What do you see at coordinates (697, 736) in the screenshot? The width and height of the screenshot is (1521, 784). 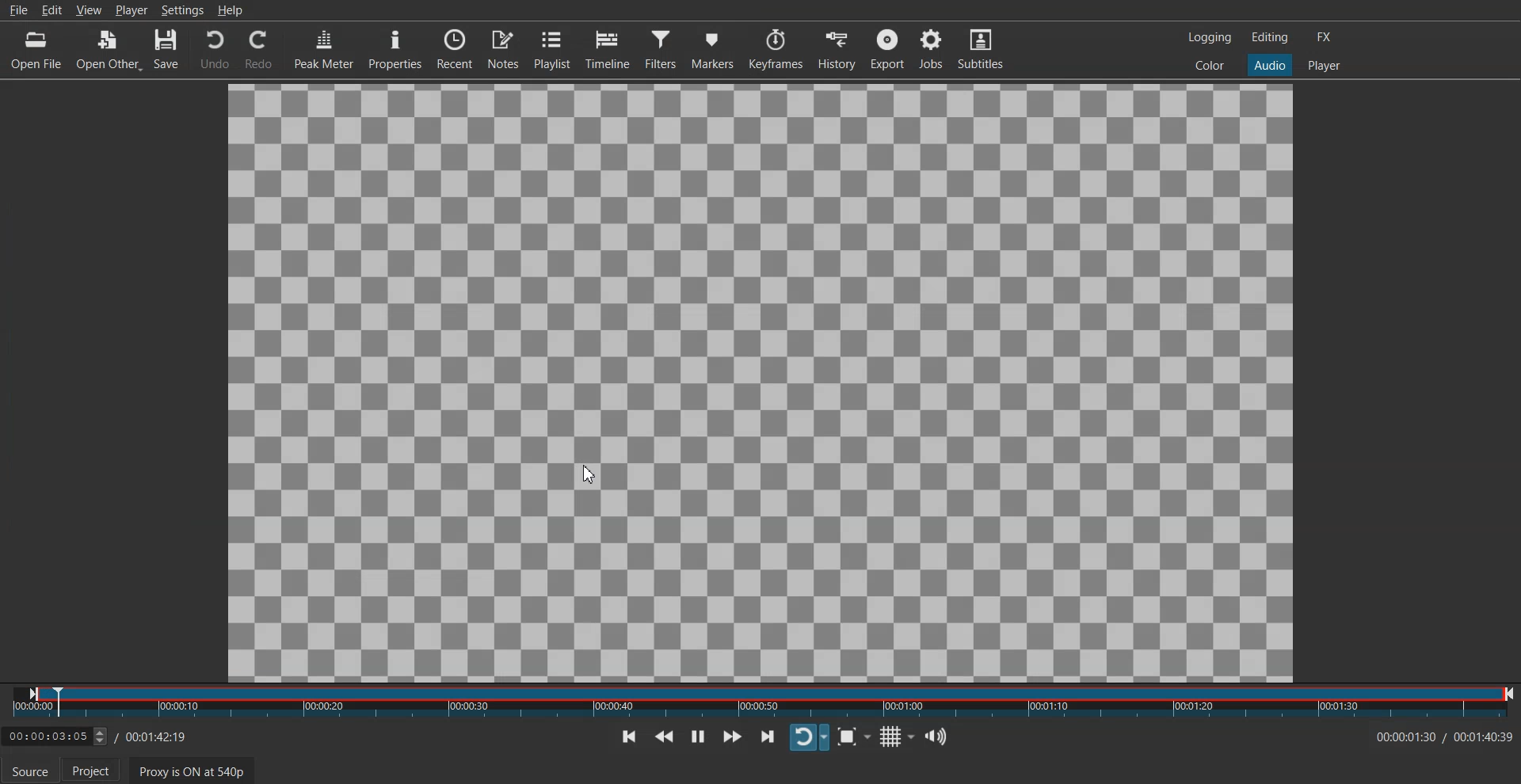 I see `Toggle play or paue` at bounding box center [697, 736].